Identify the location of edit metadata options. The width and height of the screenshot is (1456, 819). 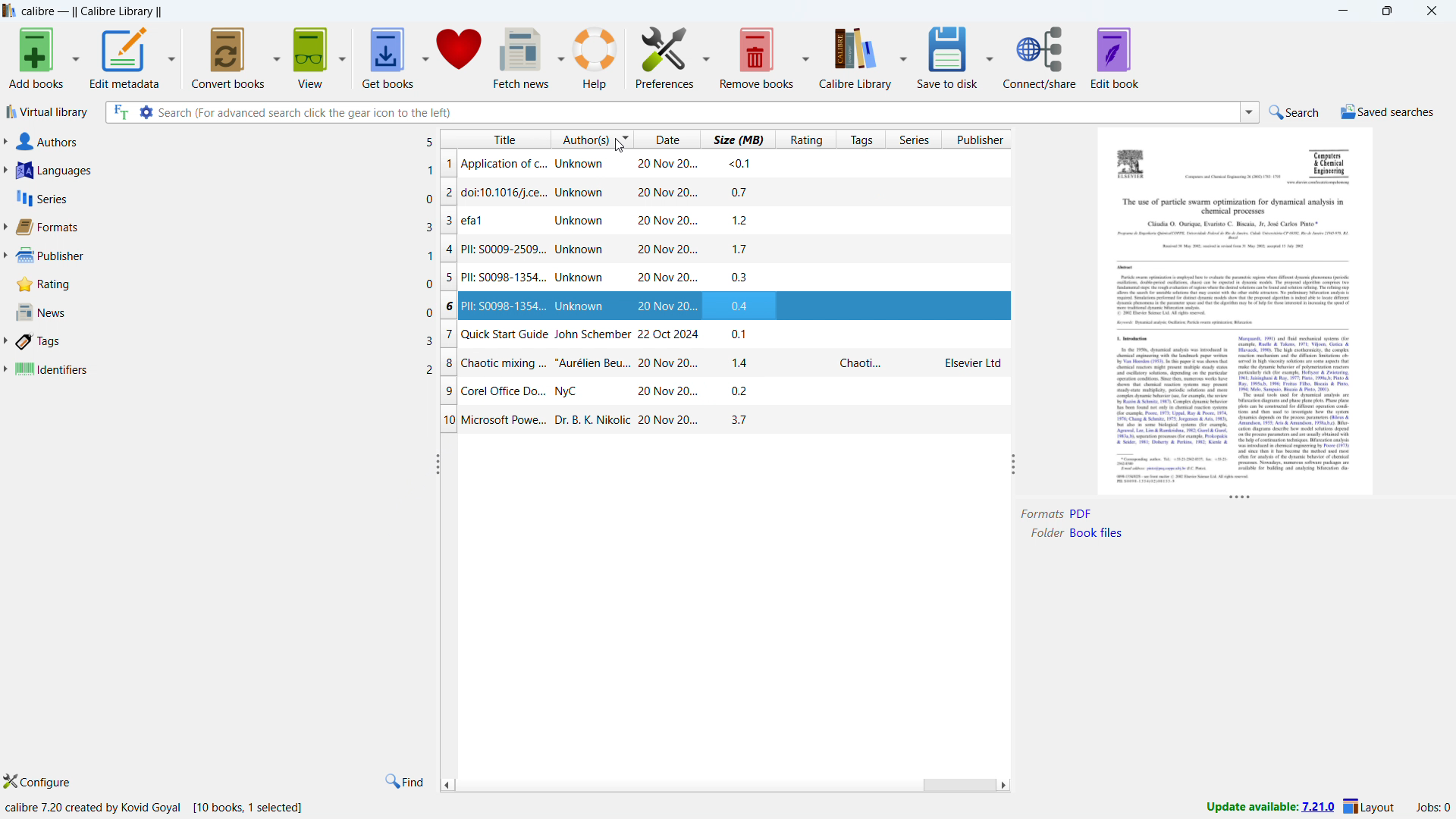
(171, 59).